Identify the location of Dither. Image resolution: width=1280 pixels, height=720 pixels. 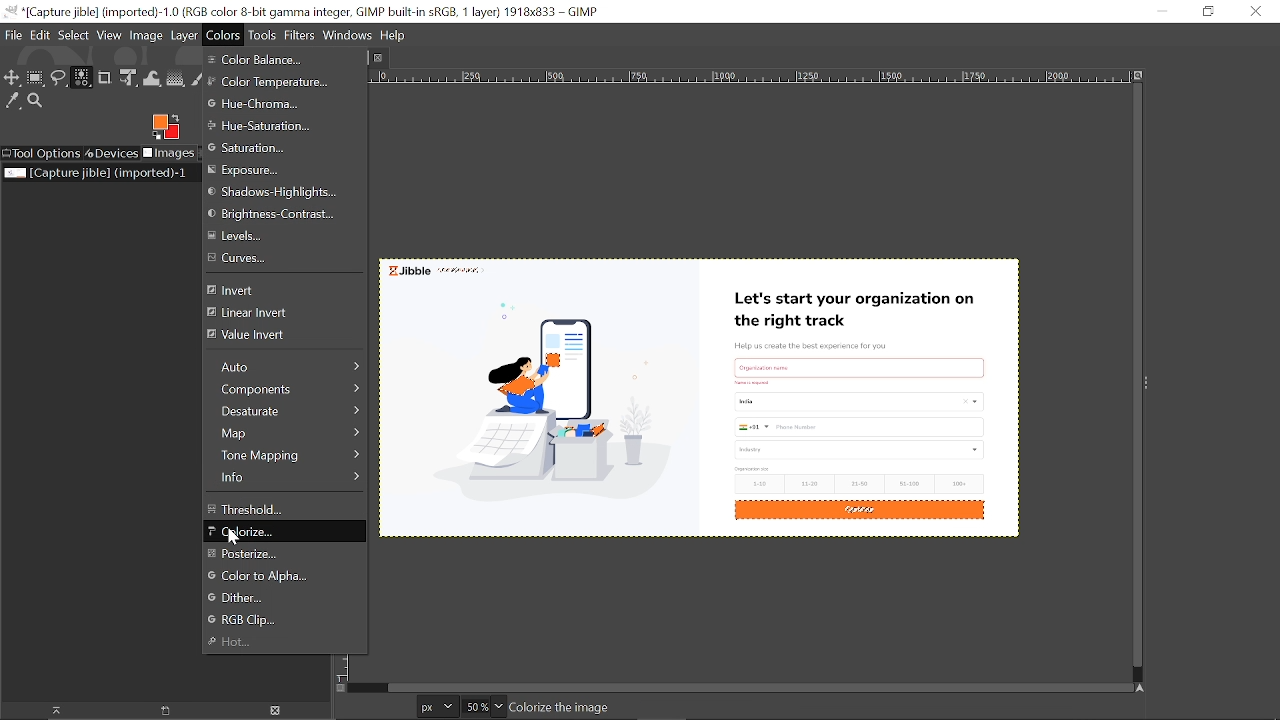
(292, 599).